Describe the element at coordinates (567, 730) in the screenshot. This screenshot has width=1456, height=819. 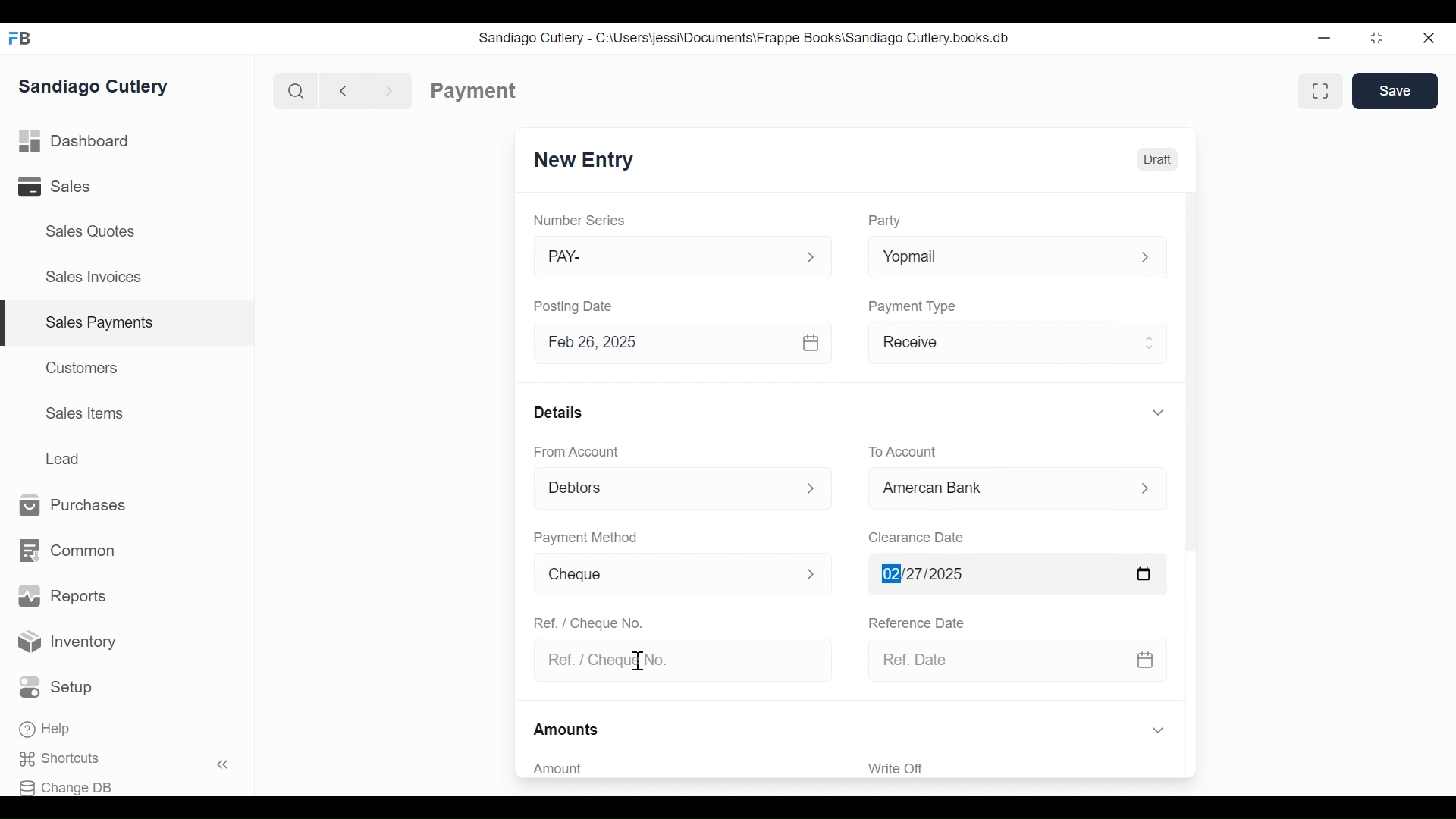
I see `Amounts` at that location.